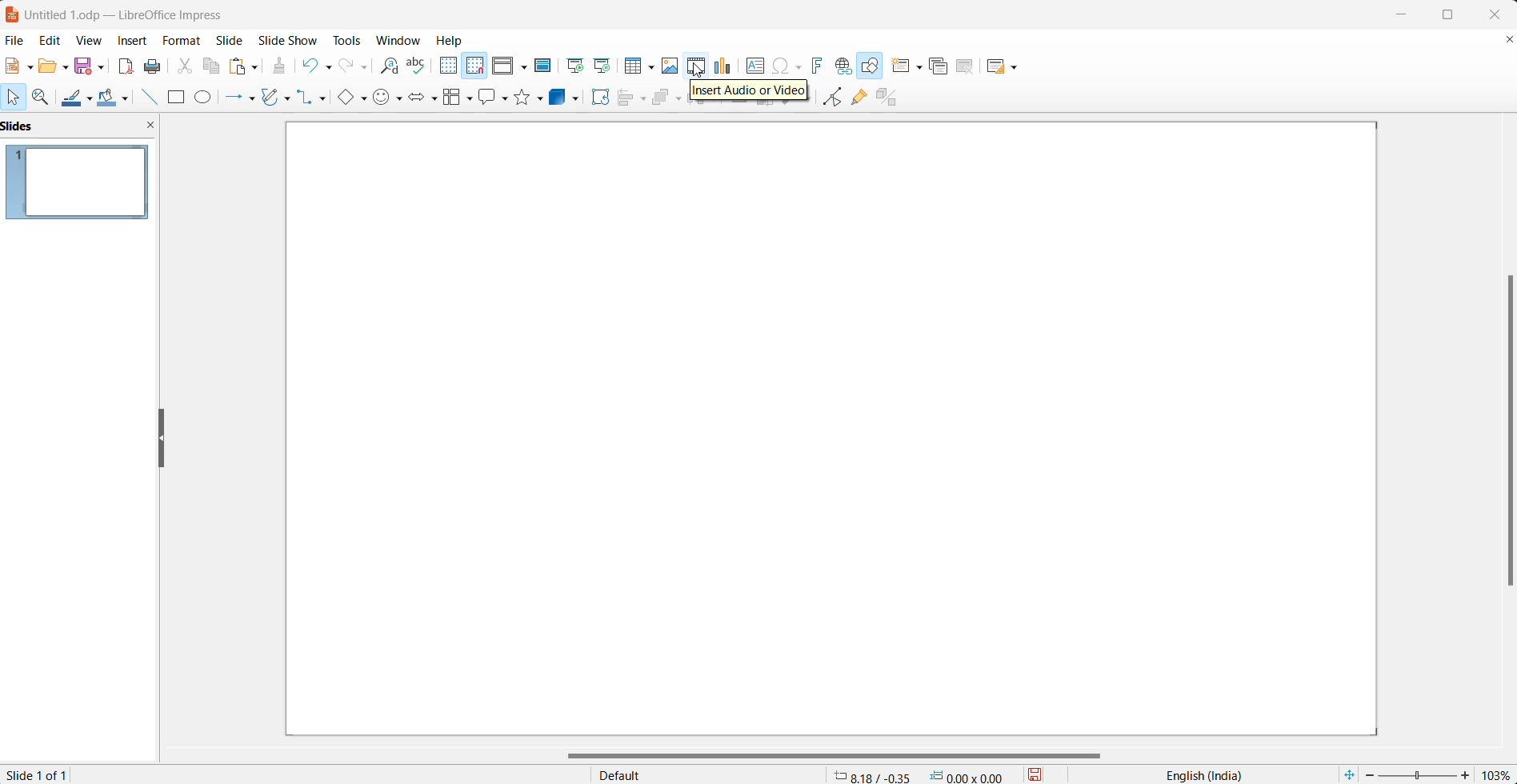 Image resolution: width=1517 pixels, height=784 pixels. Describe the element at coordinates (1197, 774) in the screenshot. I see `` at that location.